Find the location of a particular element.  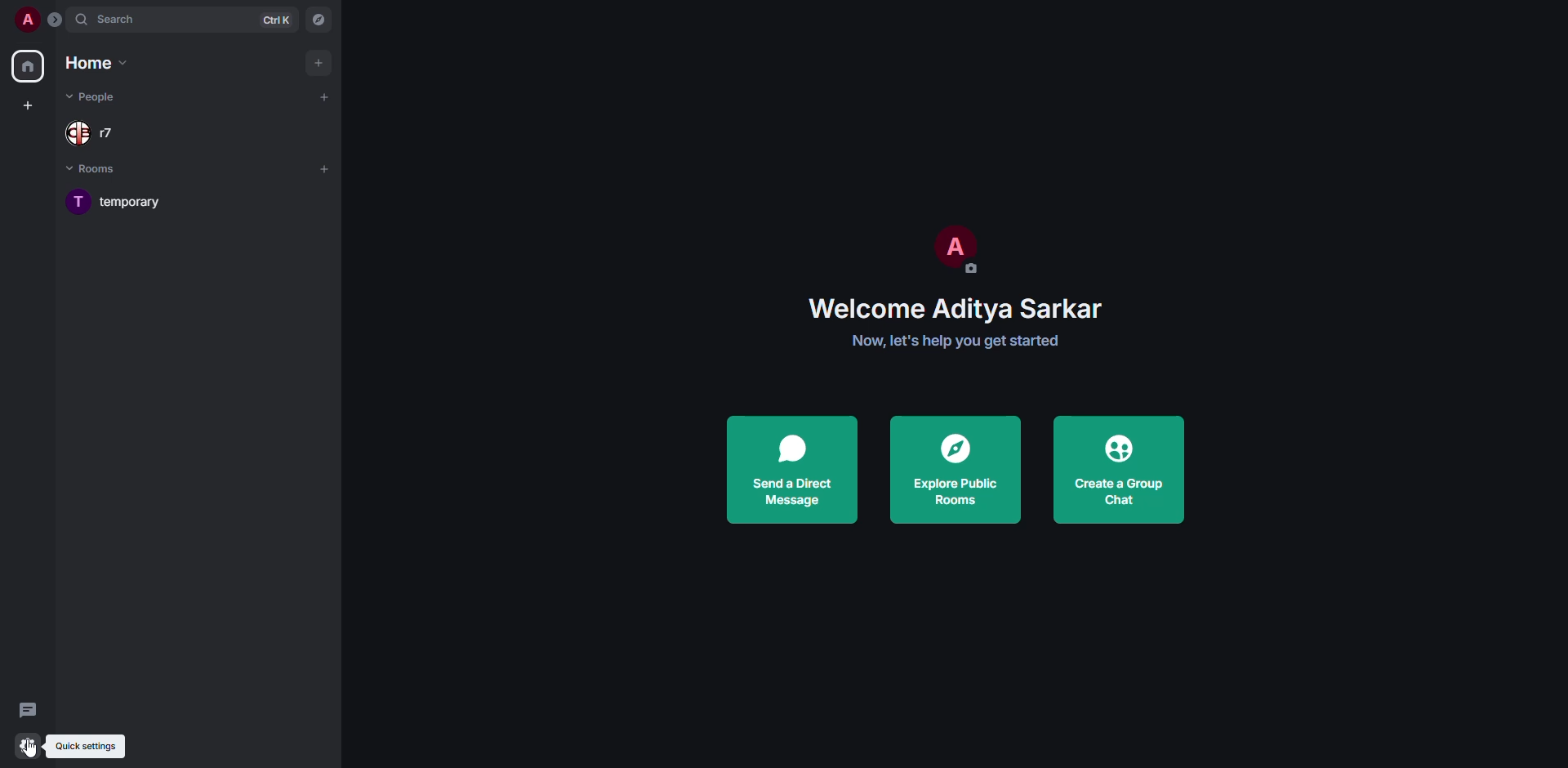

navigator is located at coordinates (318, 20).